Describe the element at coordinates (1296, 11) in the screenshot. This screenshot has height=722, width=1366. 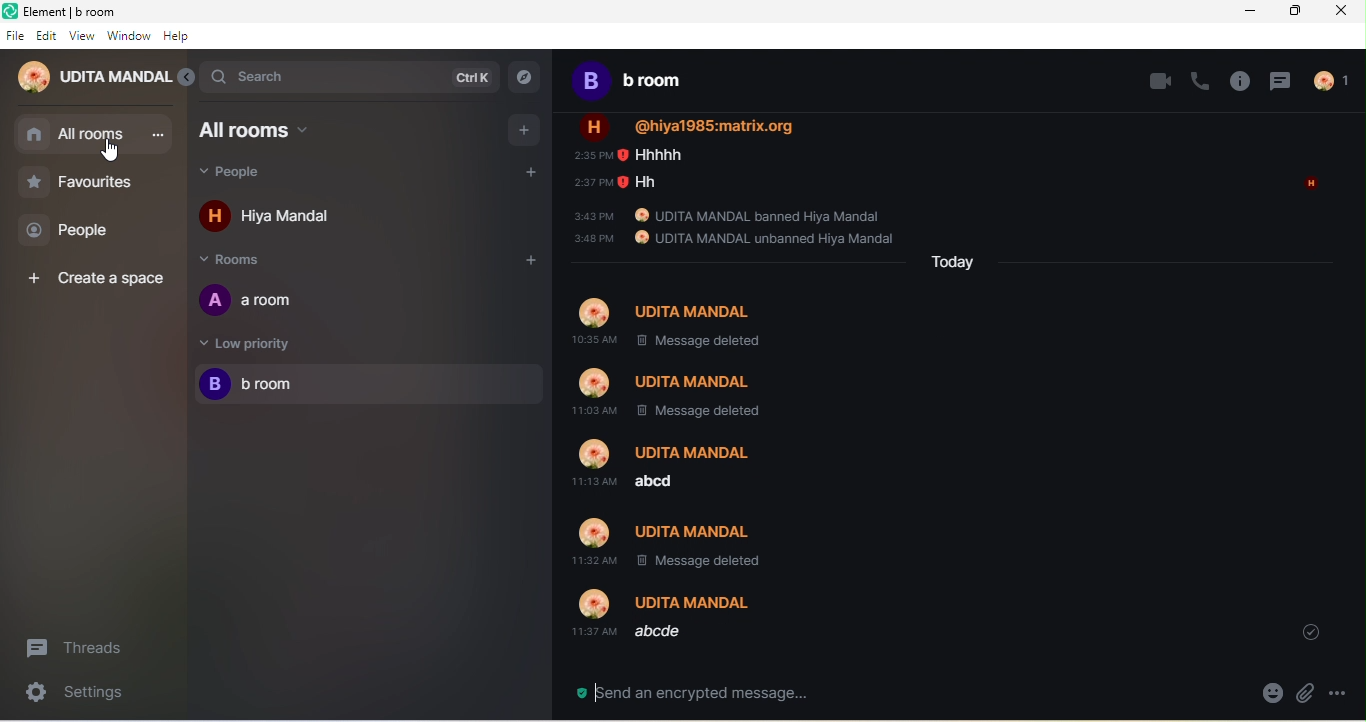
I see `maximize` at that location.